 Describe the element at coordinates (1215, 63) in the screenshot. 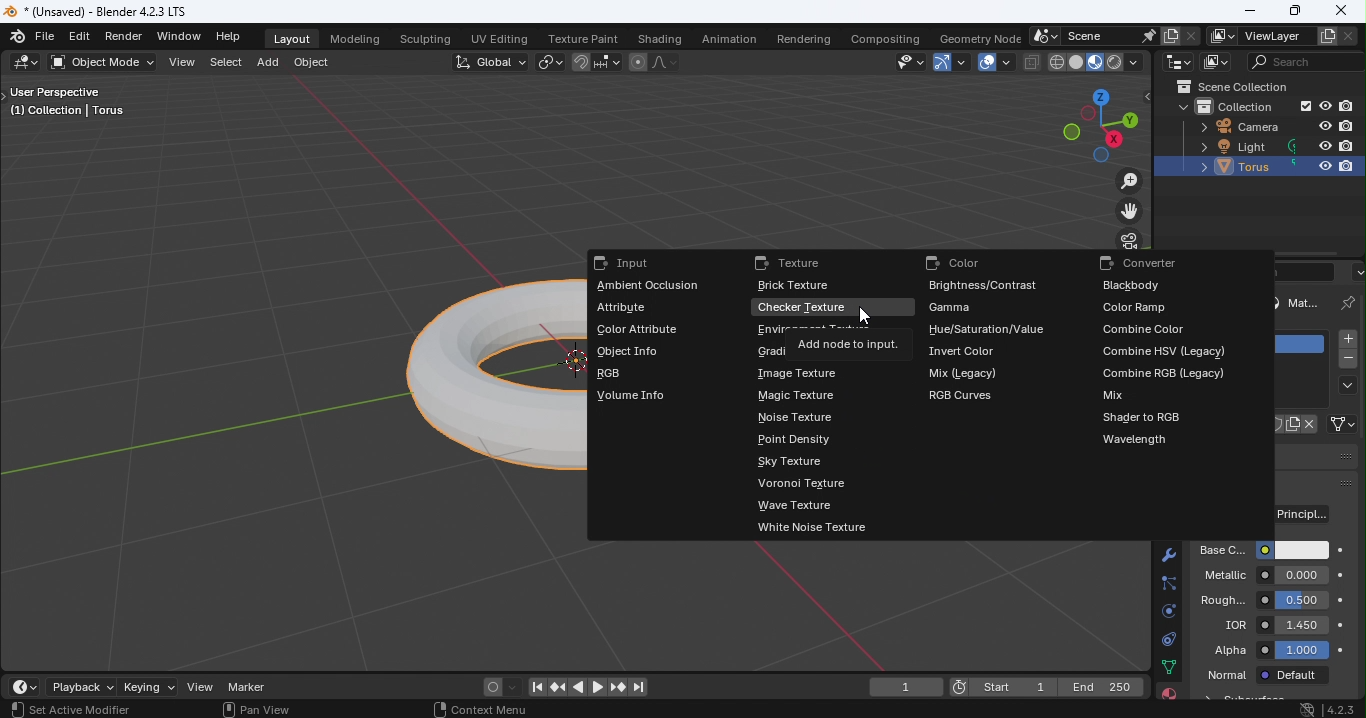

I see `Display mode` at that location.